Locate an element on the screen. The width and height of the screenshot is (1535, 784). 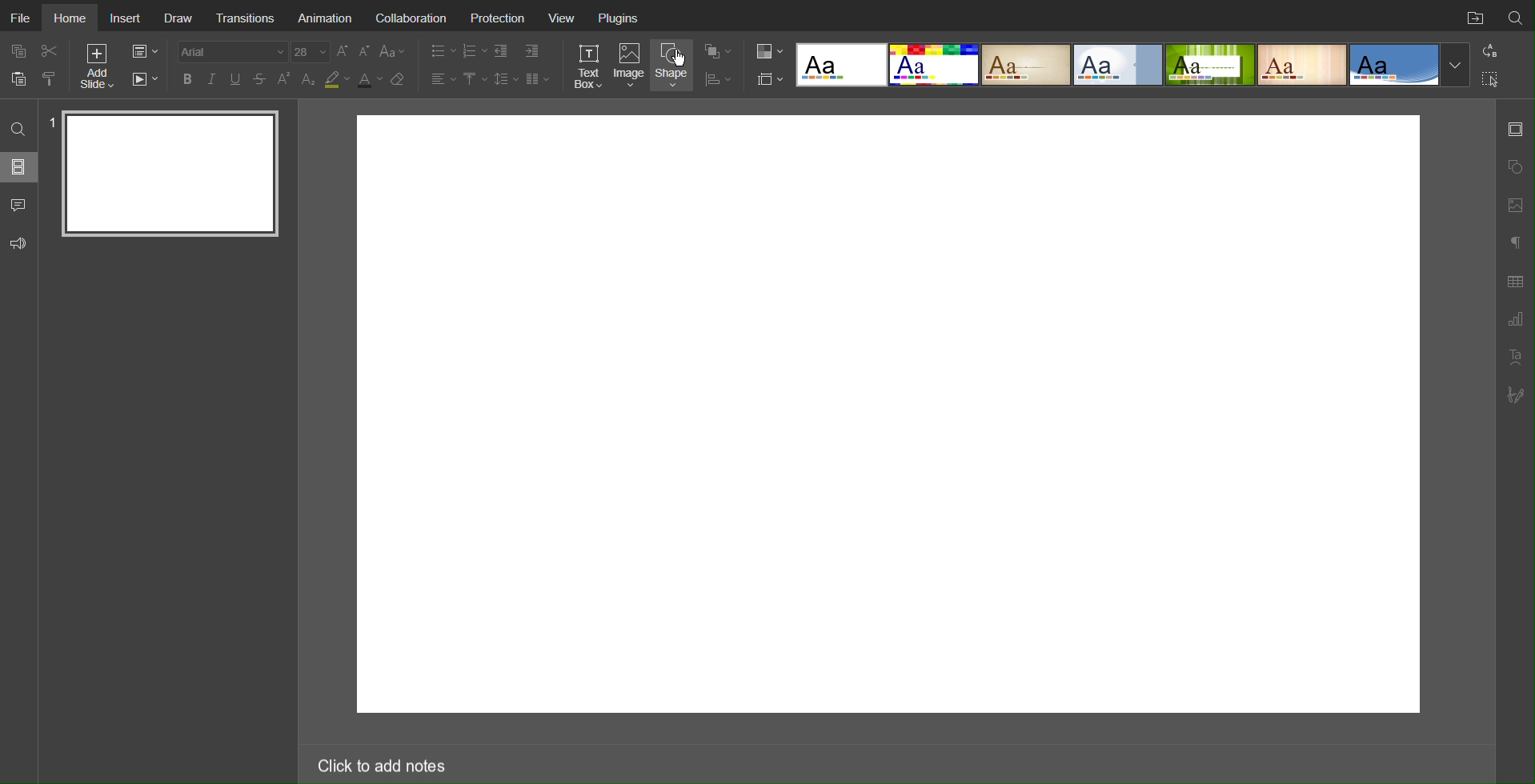
Subscript is located at coordinates (309, 79).